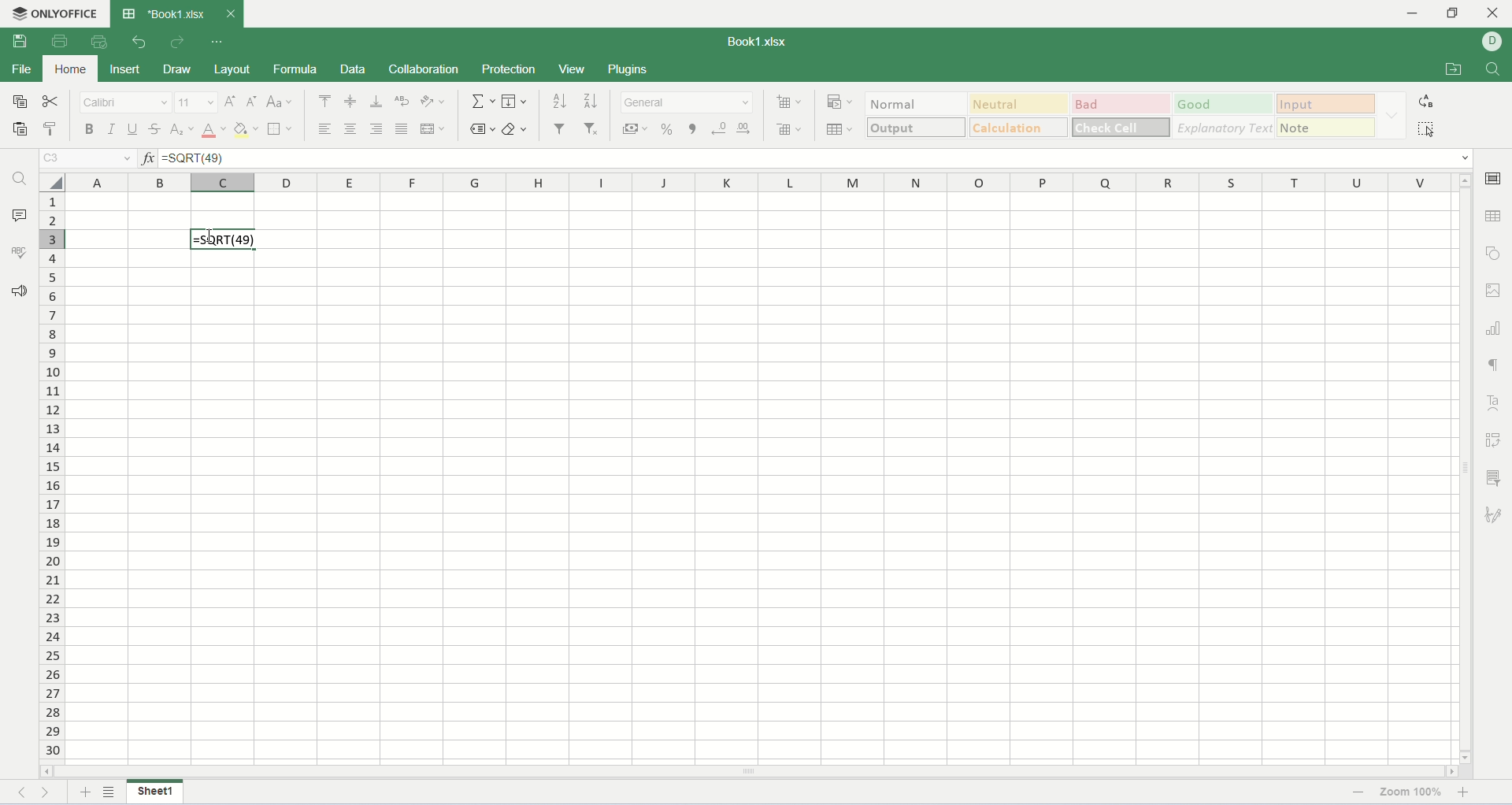 The width and height of the screenshot is (1512, 805). I want to click on note, so click(1327, 128).